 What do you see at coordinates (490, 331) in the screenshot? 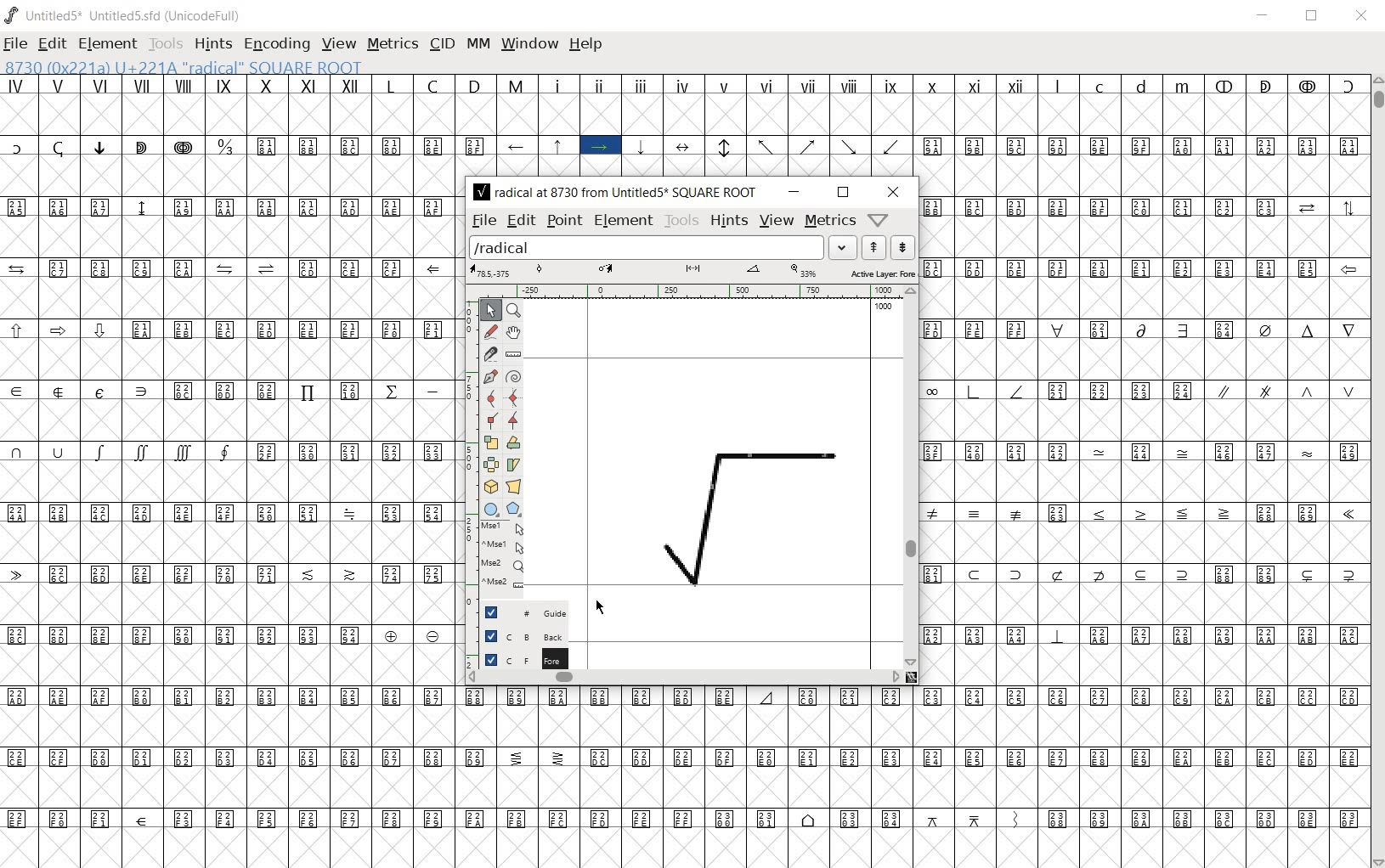
I see `draw a freehand curve` at bounding box center [490, 331].